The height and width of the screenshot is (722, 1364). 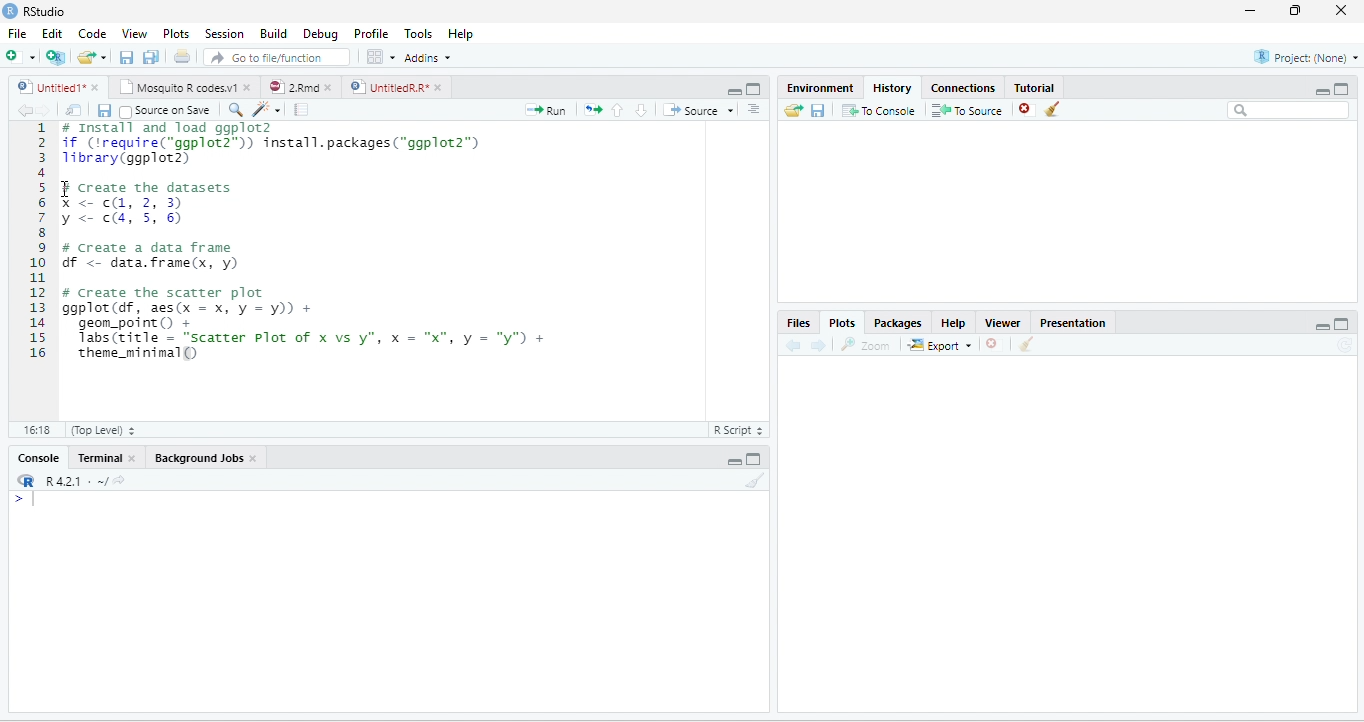 I want to click on Help, so click(x=462, y=33).